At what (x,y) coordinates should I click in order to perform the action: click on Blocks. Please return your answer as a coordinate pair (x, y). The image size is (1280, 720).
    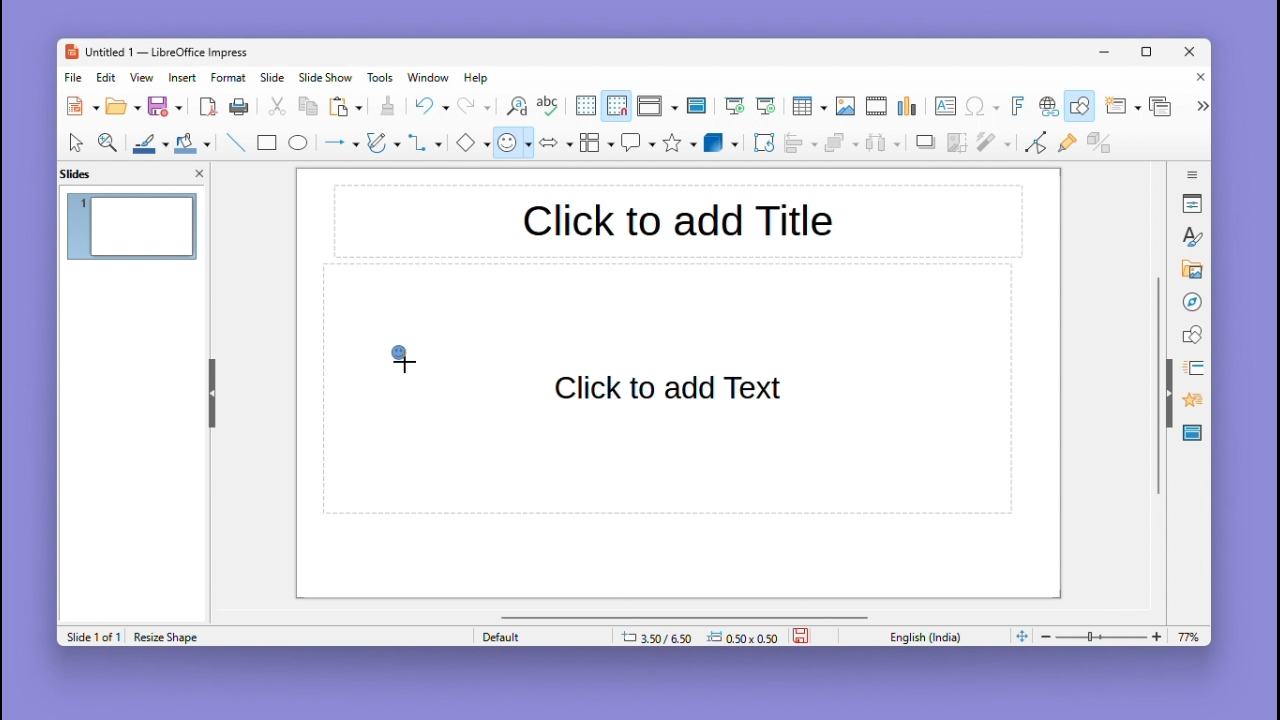
    Looking at the image, I should click on (597, 142).